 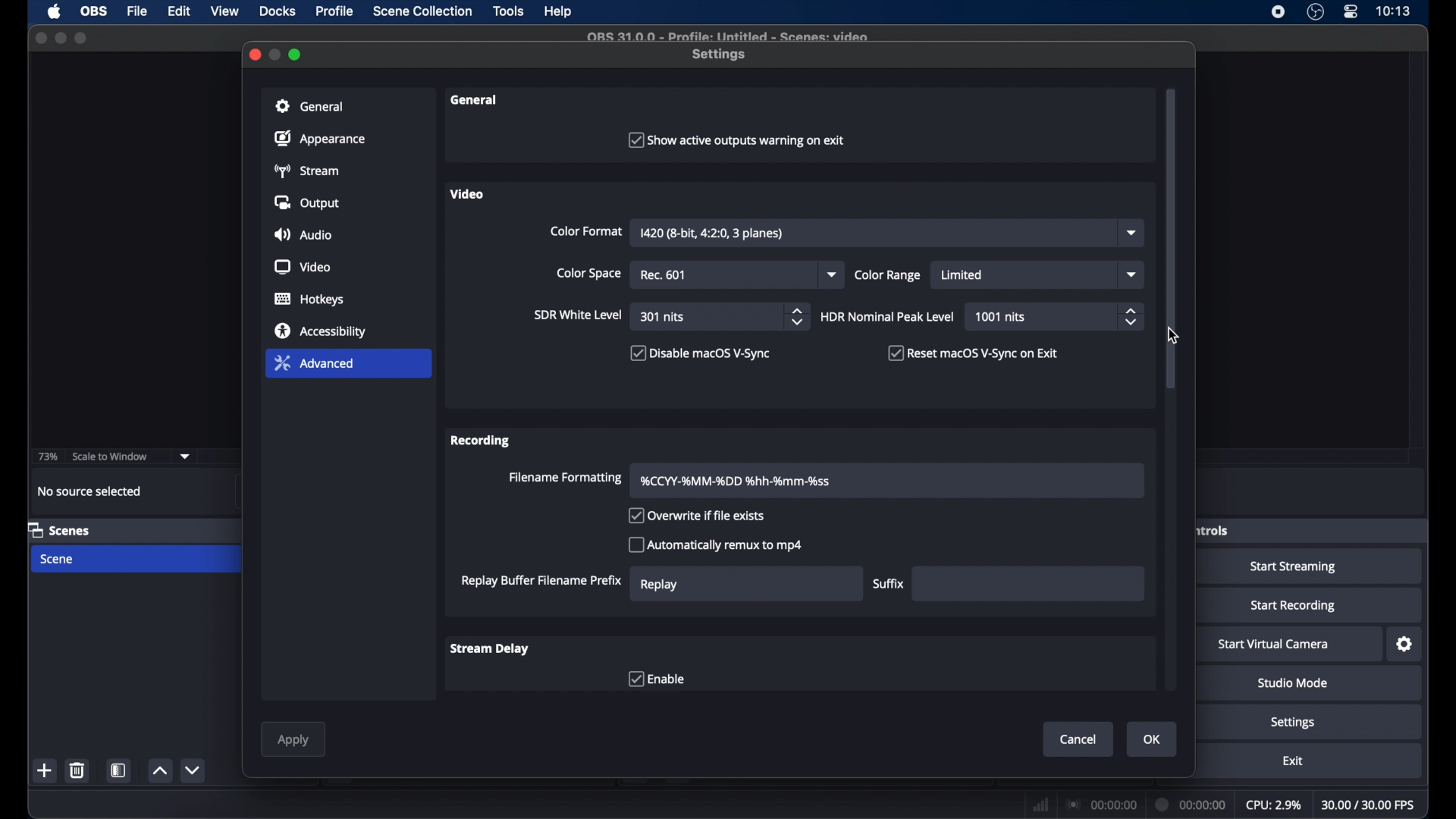 I want to click on accessibility , so click(x=322, y=330).